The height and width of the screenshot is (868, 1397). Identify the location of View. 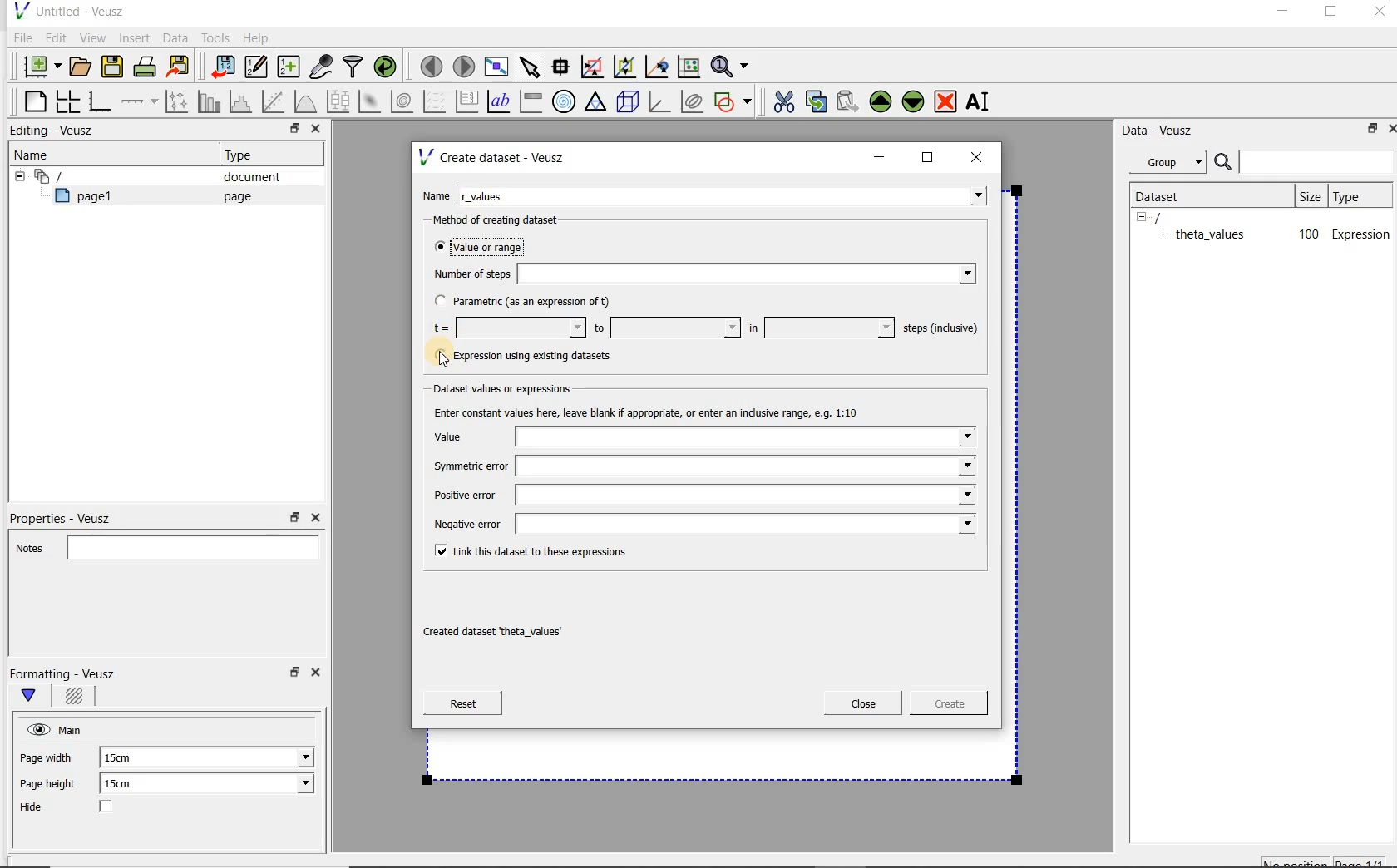
(92, 36).